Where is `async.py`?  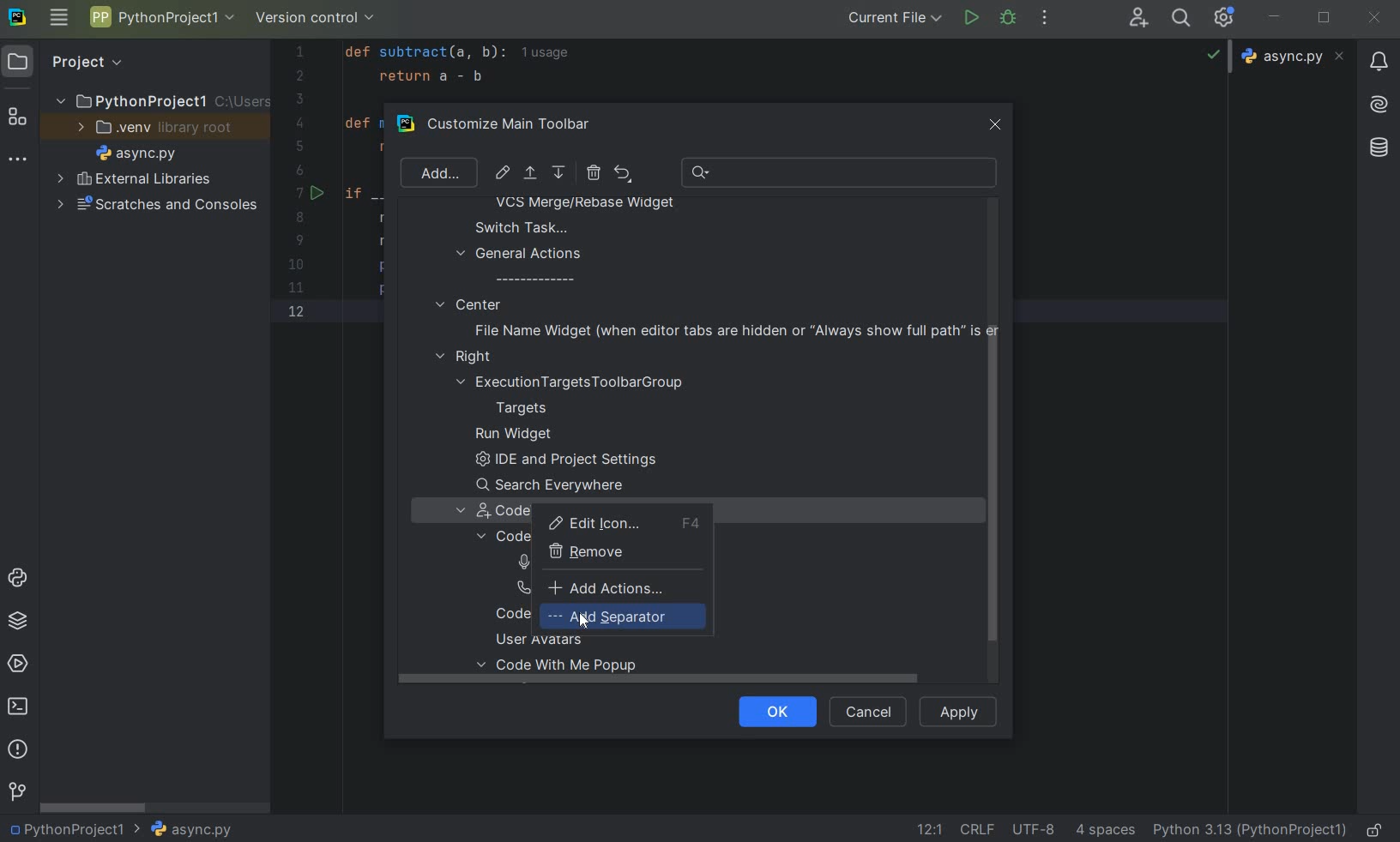 async.py is located at coordinates (1295, 57).